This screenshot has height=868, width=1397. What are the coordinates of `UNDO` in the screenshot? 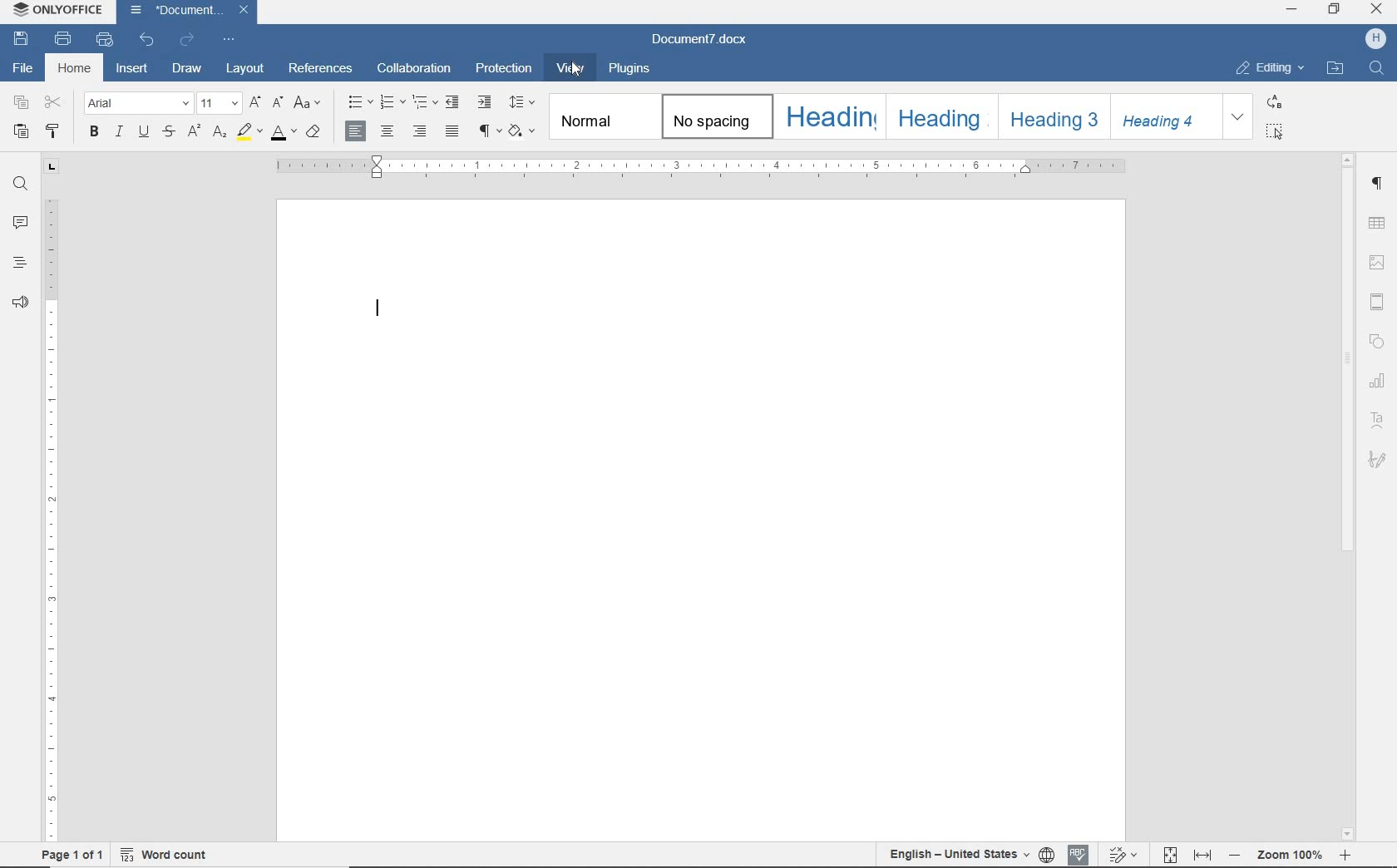 It's located at (147, 41).